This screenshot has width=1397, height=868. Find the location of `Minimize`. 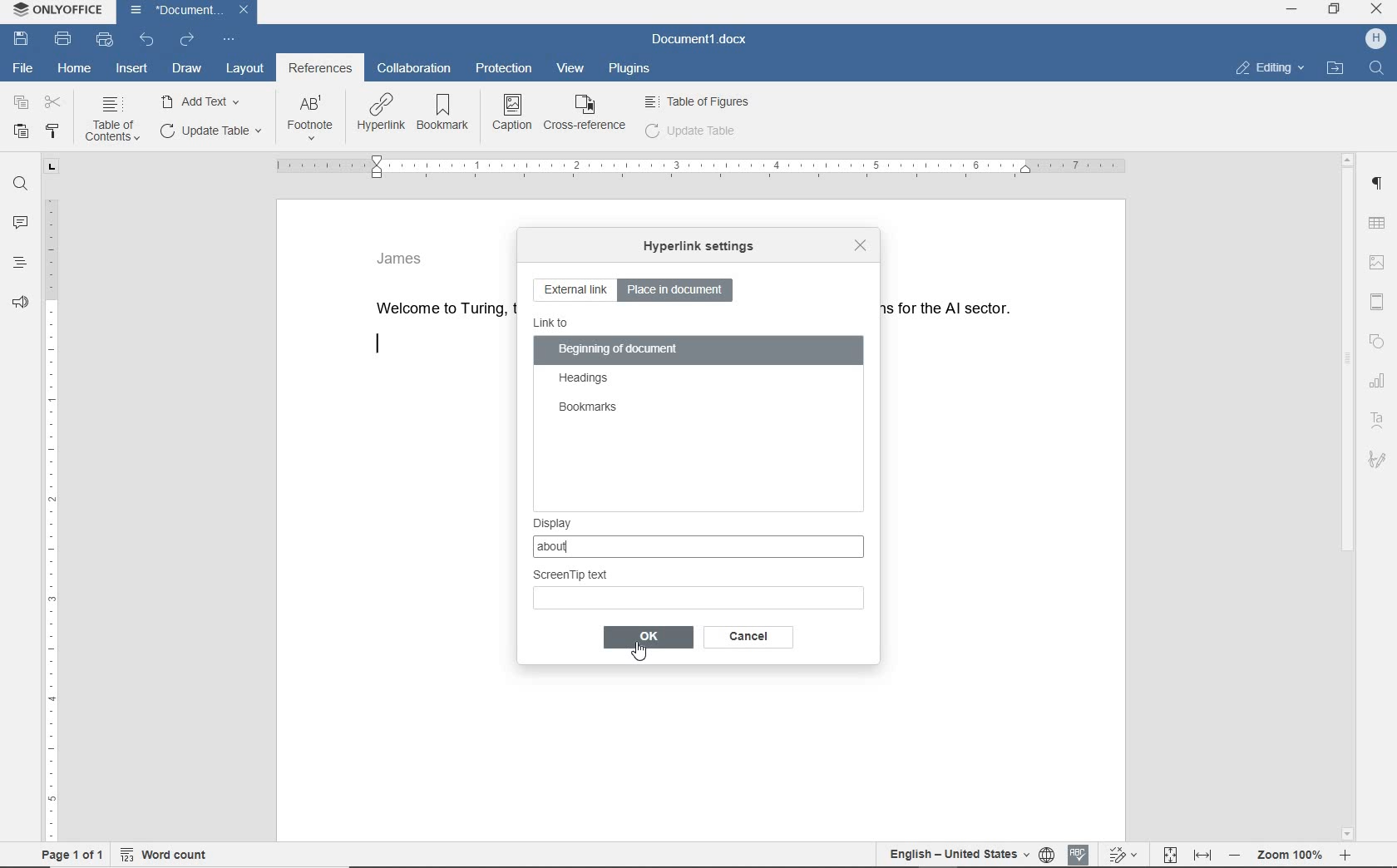

Minimize is located at coordinates (1294, 13).